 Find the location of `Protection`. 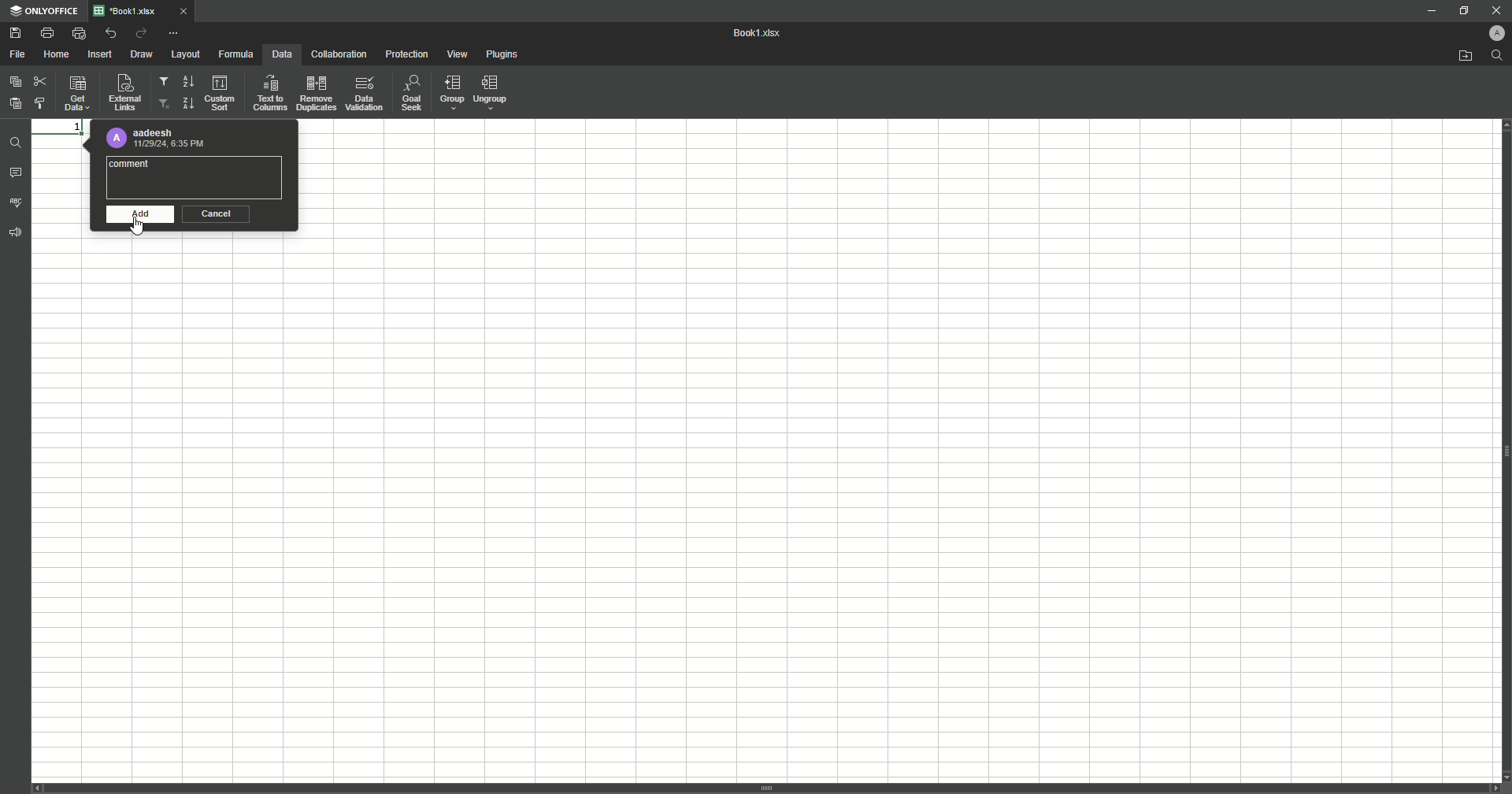

Protection is located at coordinates (406, 55).